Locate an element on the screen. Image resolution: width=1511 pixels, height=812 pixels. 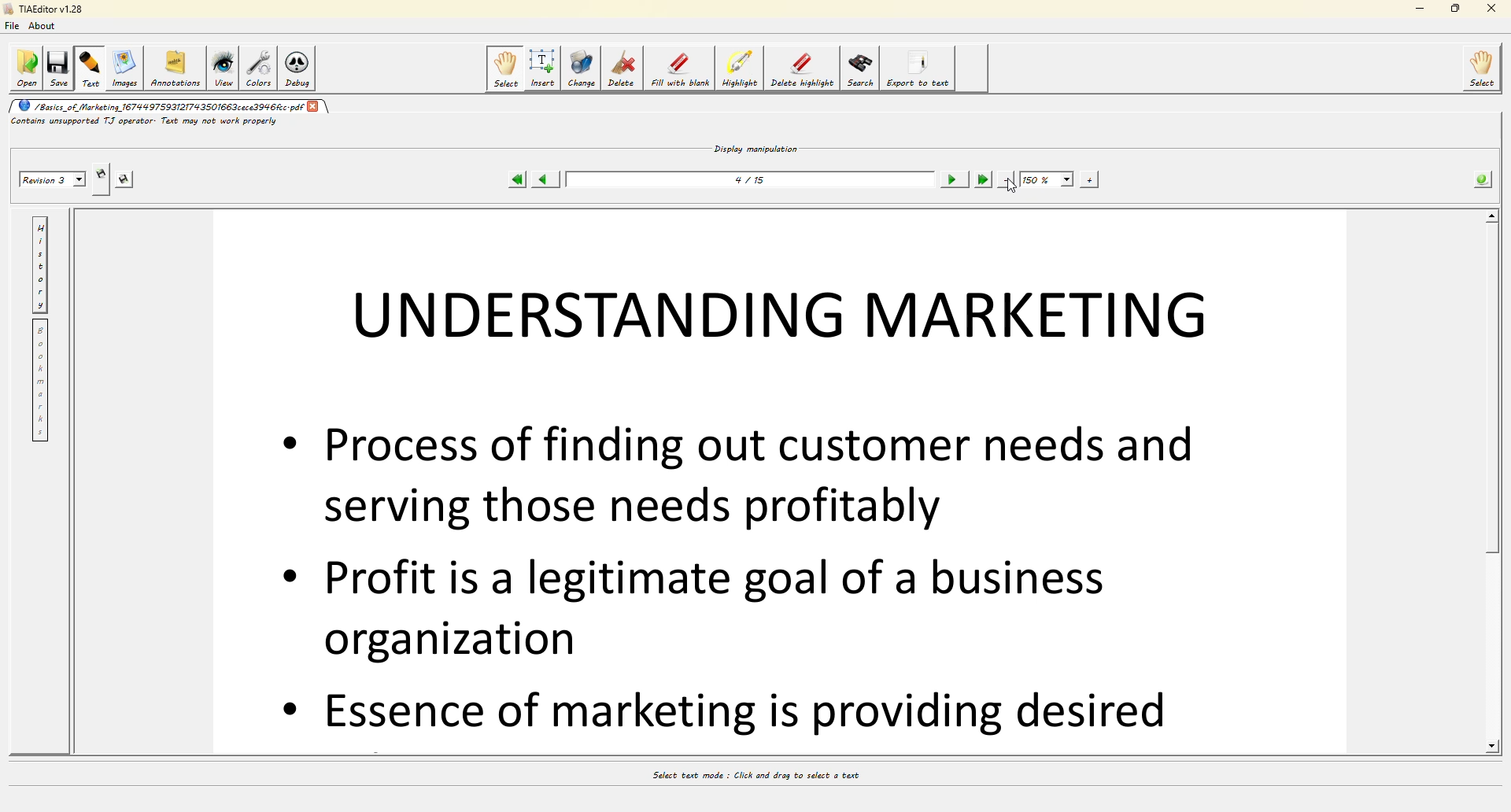
debug is located at coordinates (298, 67).